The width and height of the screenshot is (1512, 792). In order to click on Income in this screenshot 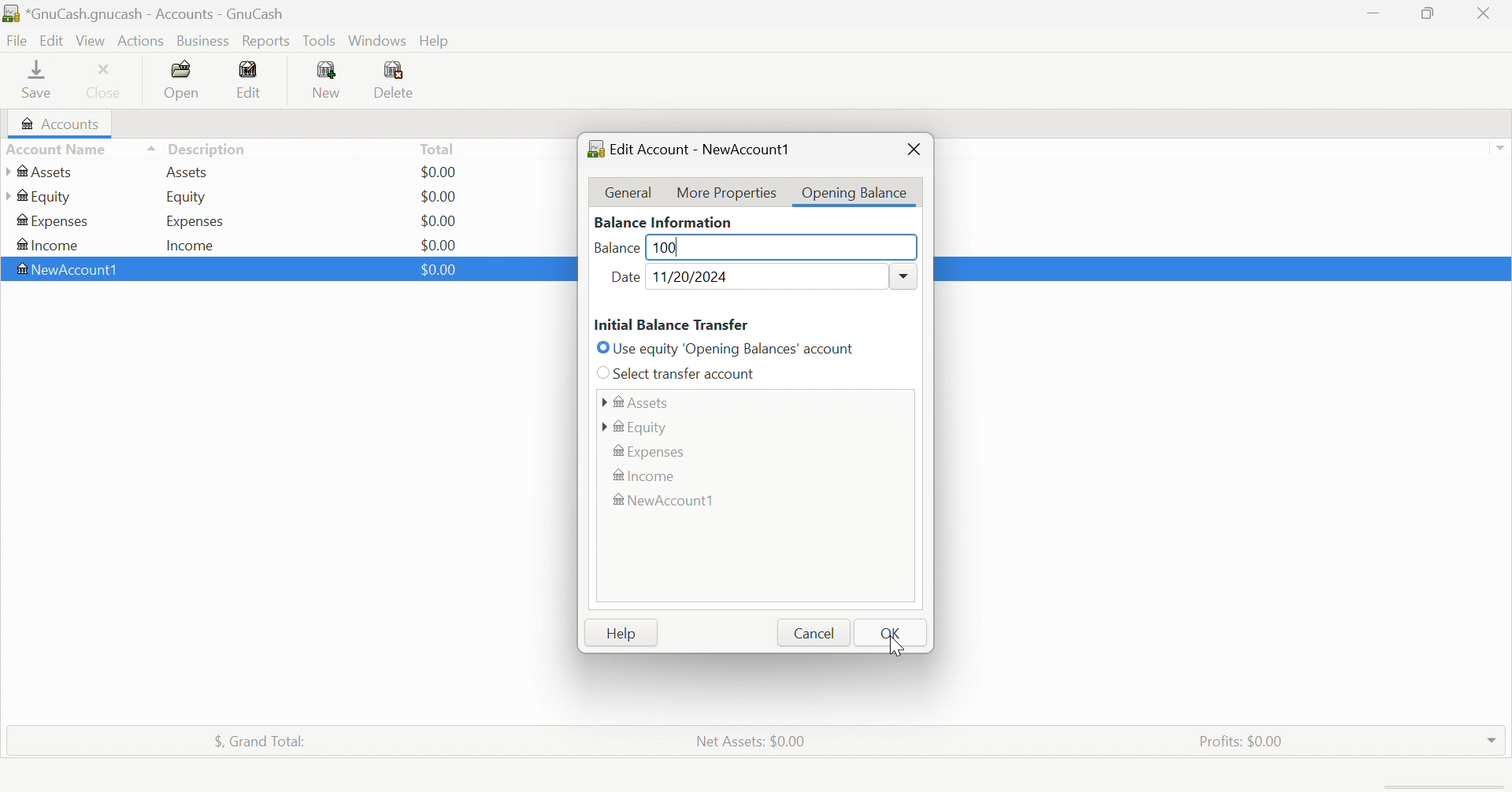, I will do `click(647, 476)`.